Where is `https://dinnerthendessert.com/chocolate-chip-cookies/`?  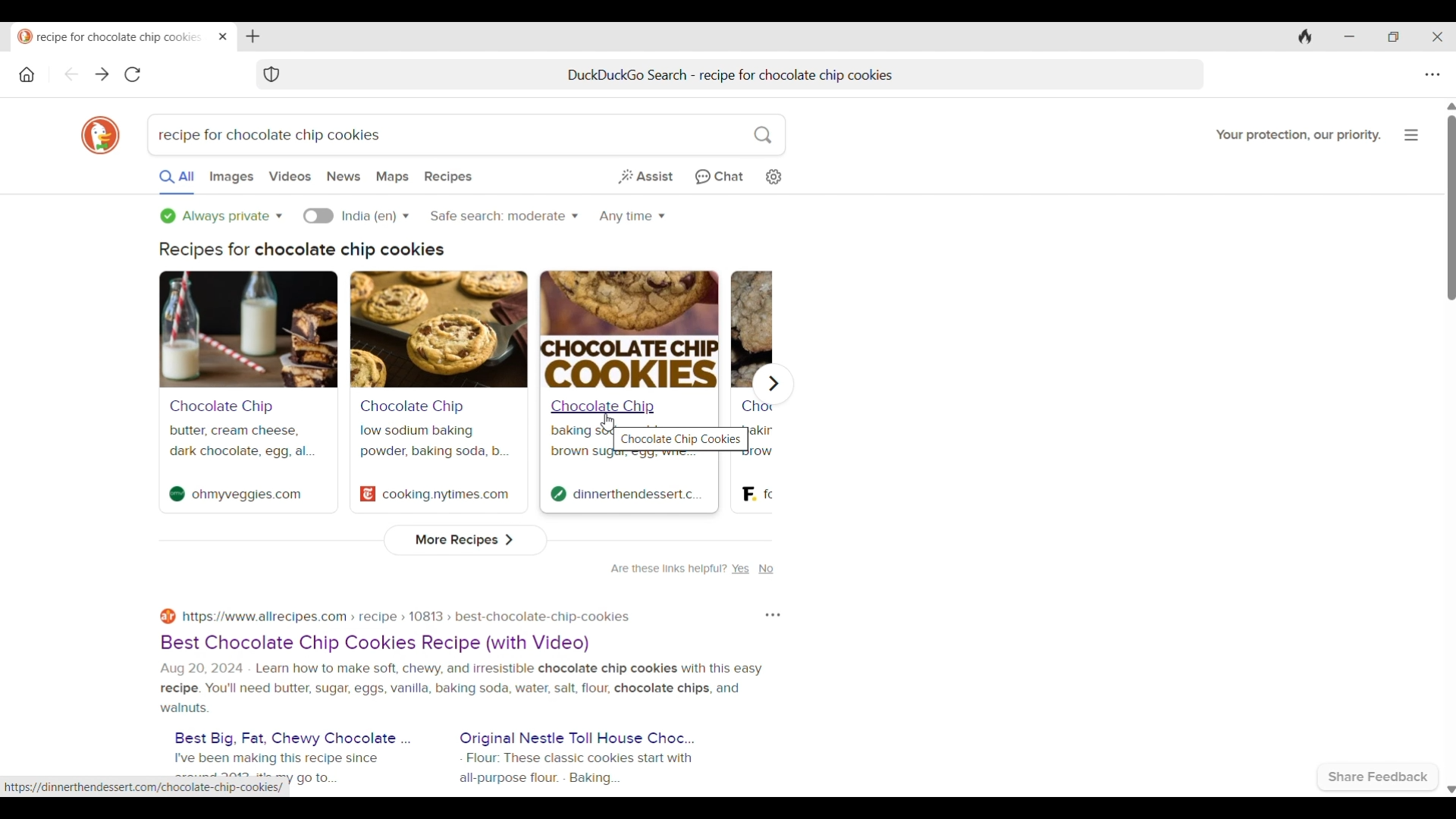 https://dinnerthendessert.com/chocolate-chip-cookies/ is located at coordinates (144, 787).